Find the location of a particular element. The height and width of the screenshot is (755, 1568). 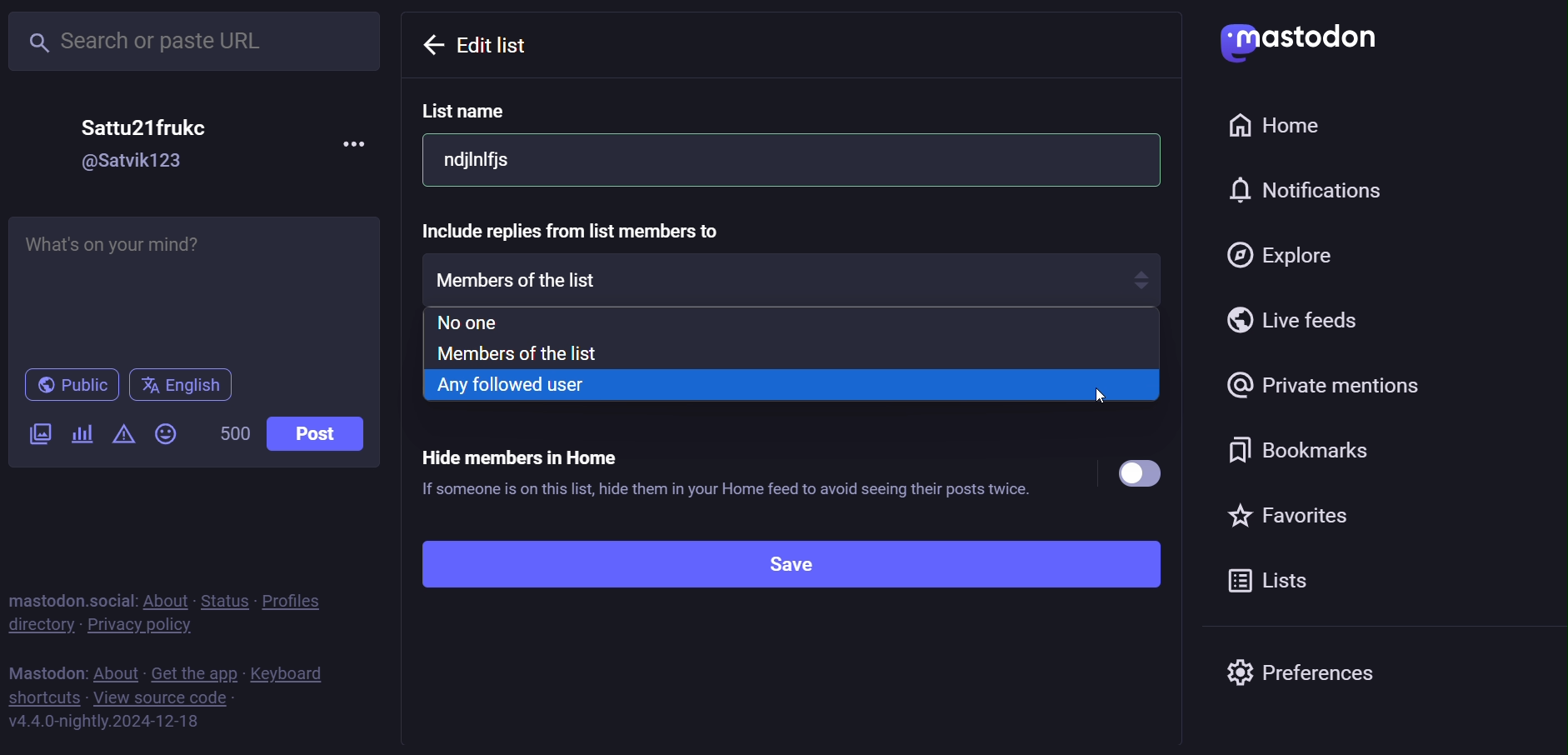

preferences is located at coordinates (1301, 667).